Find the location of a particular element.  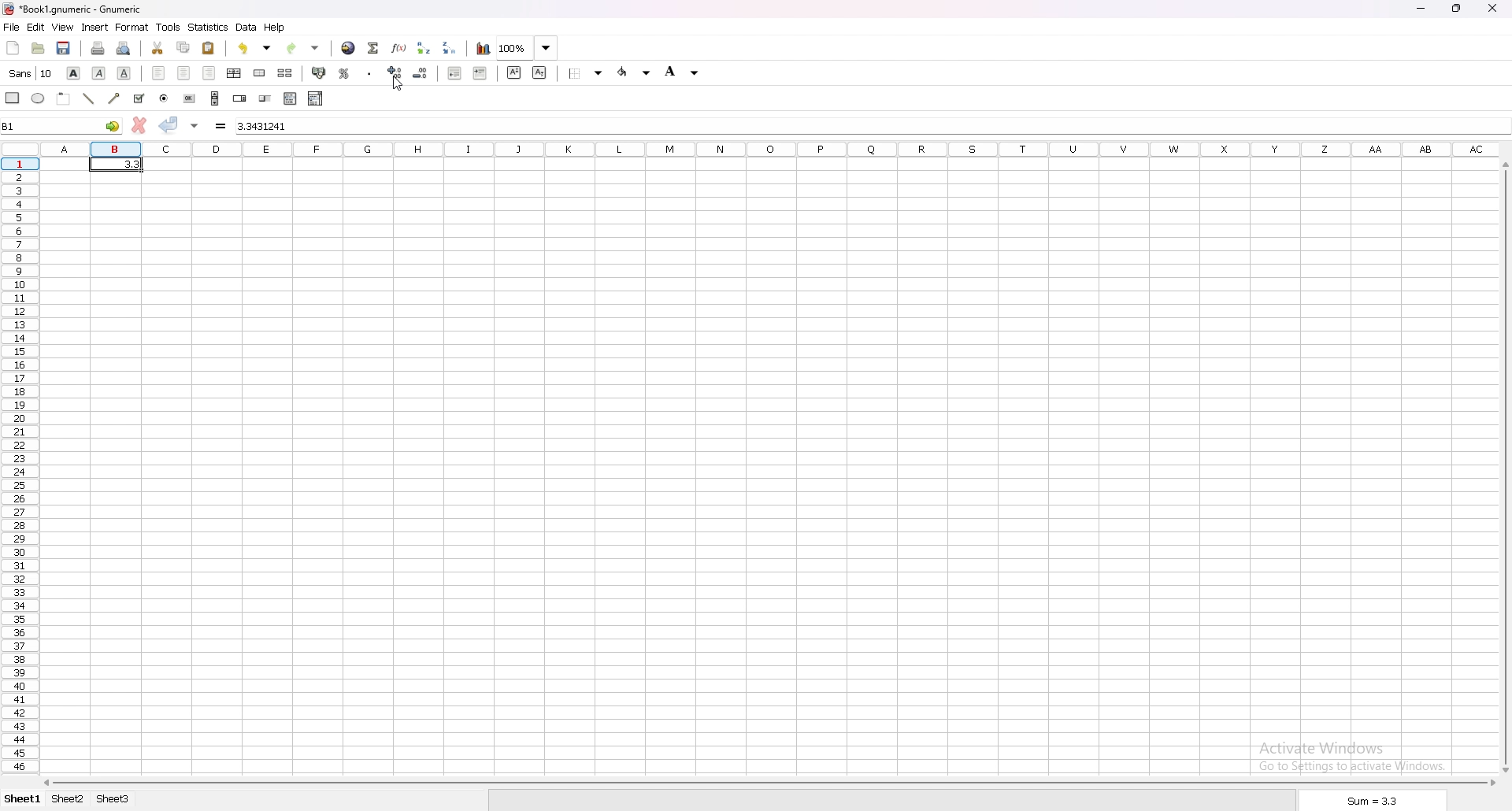

font is located at coordinates (30, 72).